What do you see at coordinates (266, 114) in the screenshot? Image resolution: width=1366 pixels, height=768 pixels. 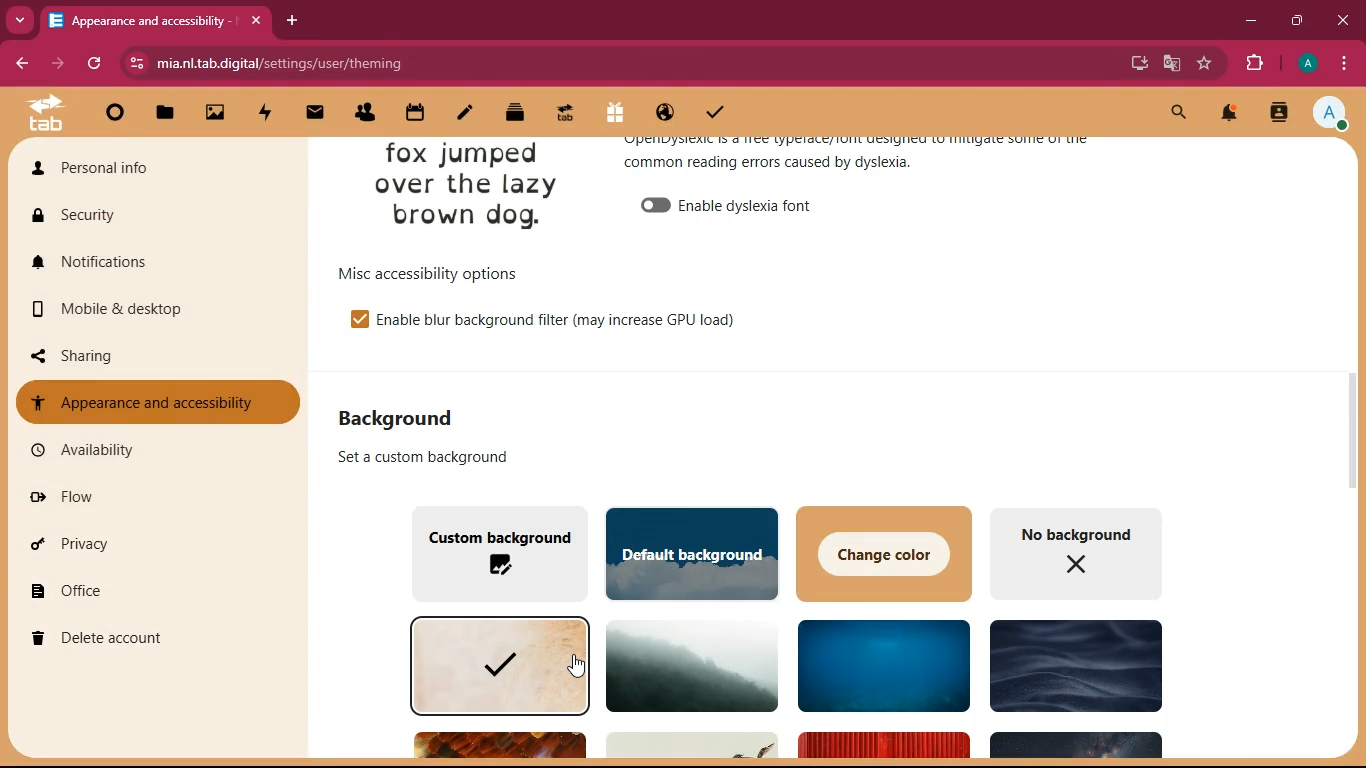 I see `activity` at bounding box center [266, 114].